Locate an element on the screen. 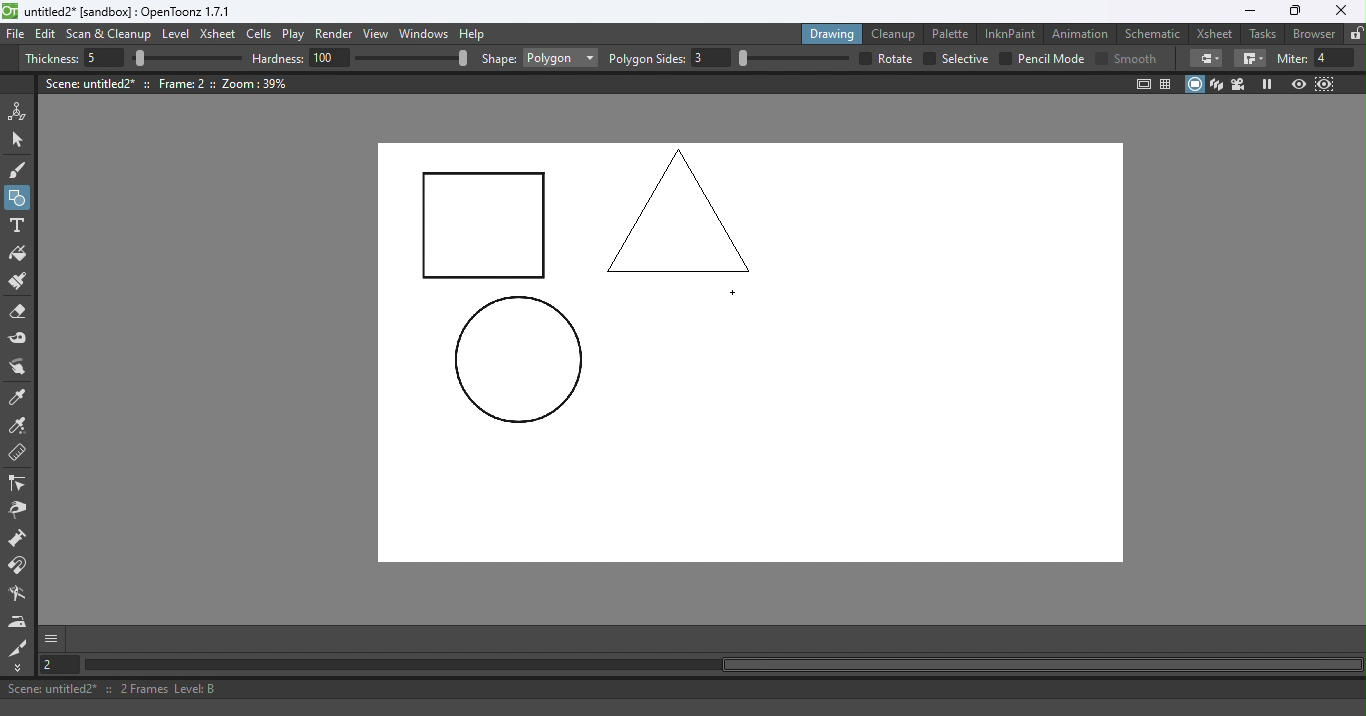 Image resolution: width=1366 pixels, height=716 pixels. 4 is located at coordinates (1335, 58).